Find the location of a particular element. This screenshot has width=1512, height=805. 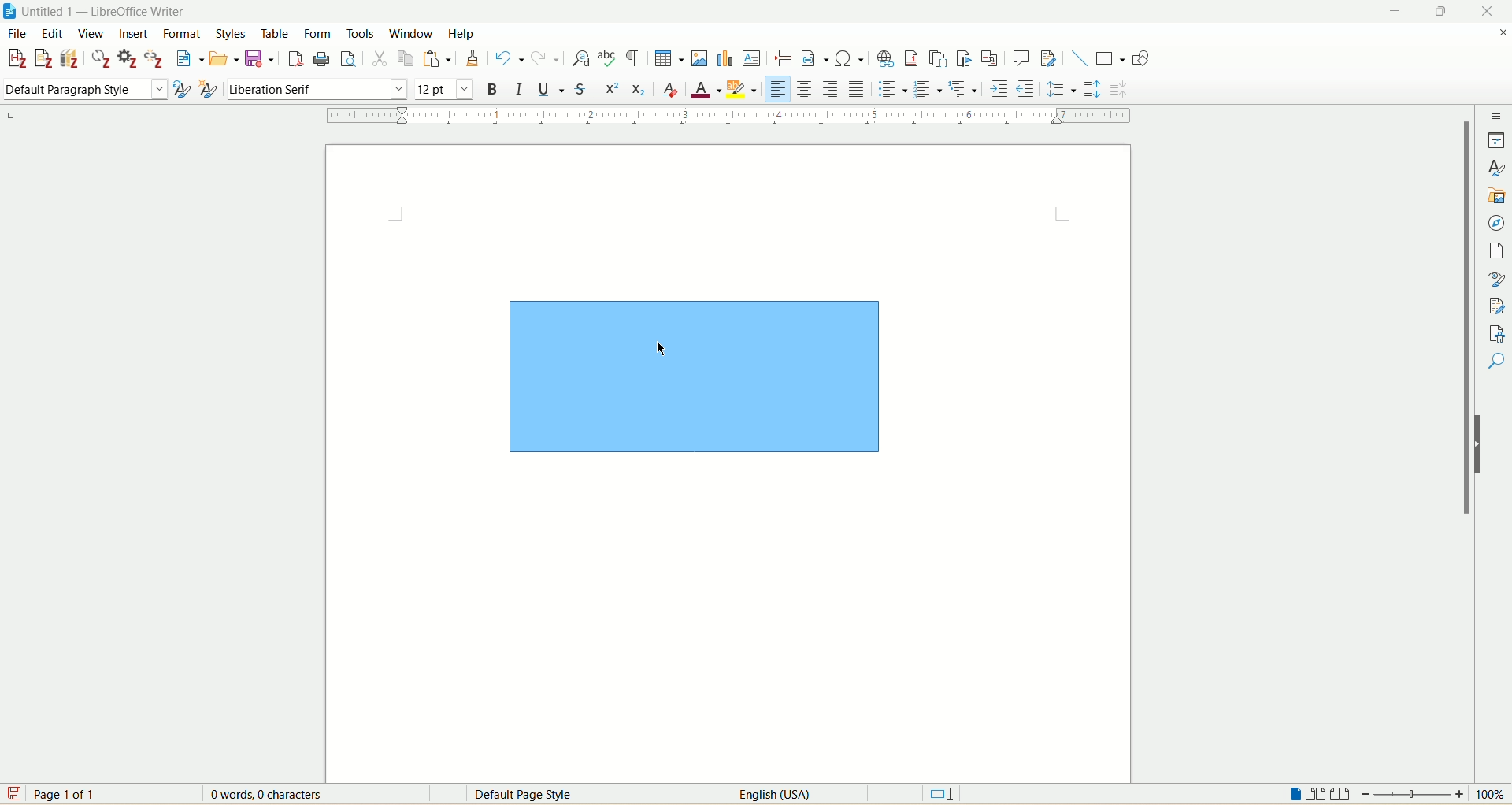

styles is located at coordinates (229, 33).